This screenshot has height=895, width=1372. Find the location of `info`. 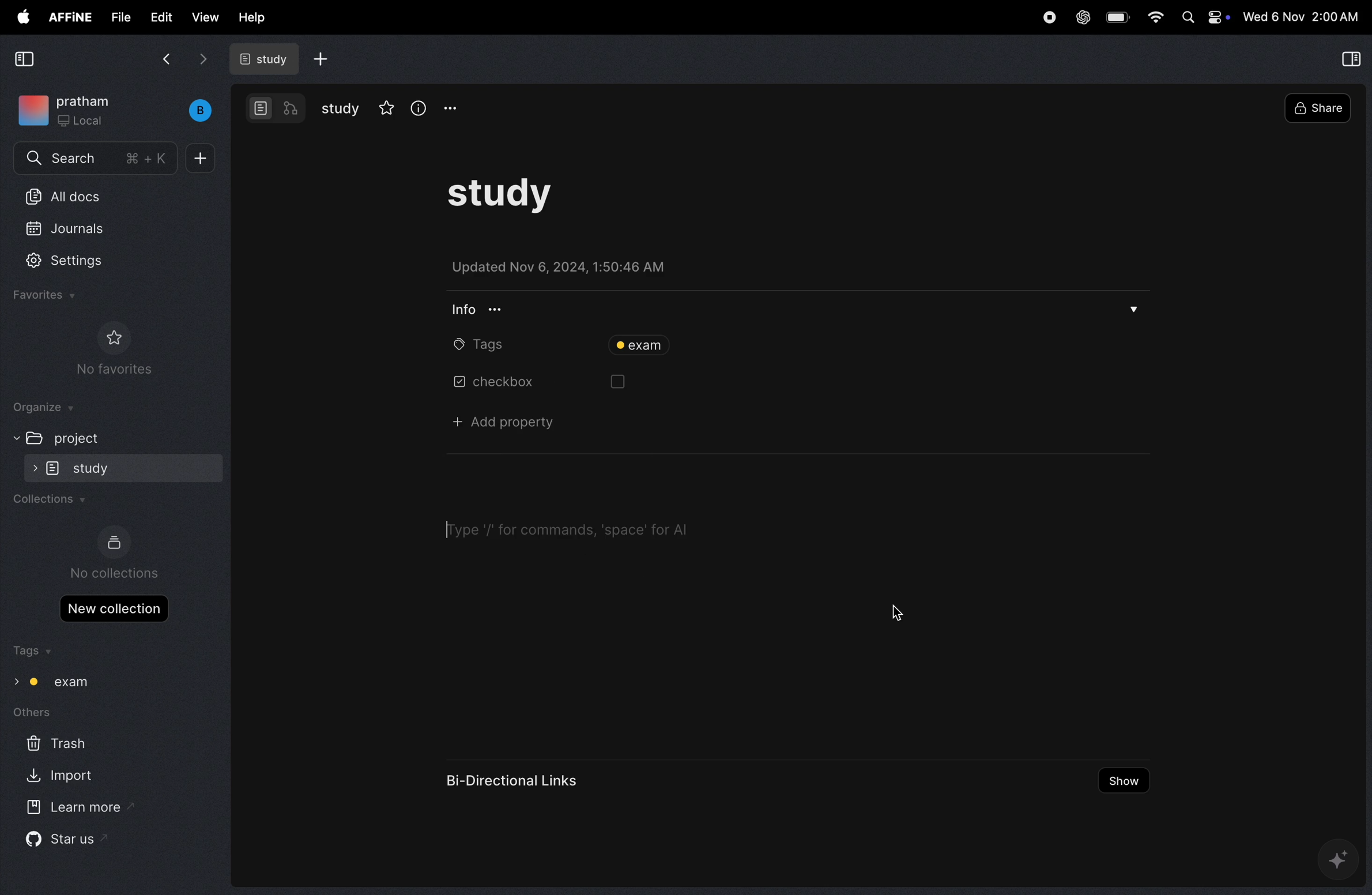

info is located at coordinates (481, 310).